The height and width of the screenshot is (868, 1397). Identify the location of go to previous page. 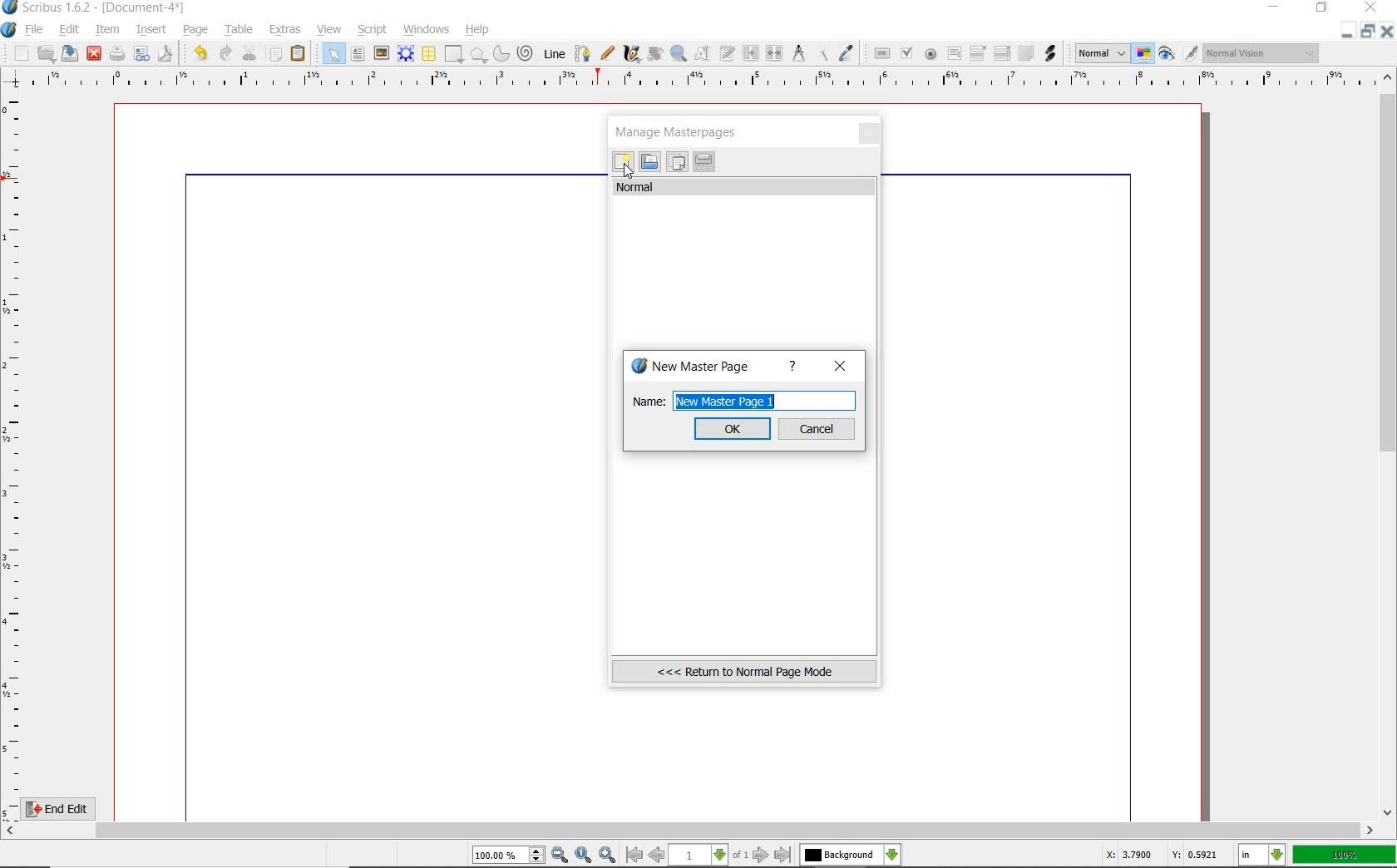
(659, 856).